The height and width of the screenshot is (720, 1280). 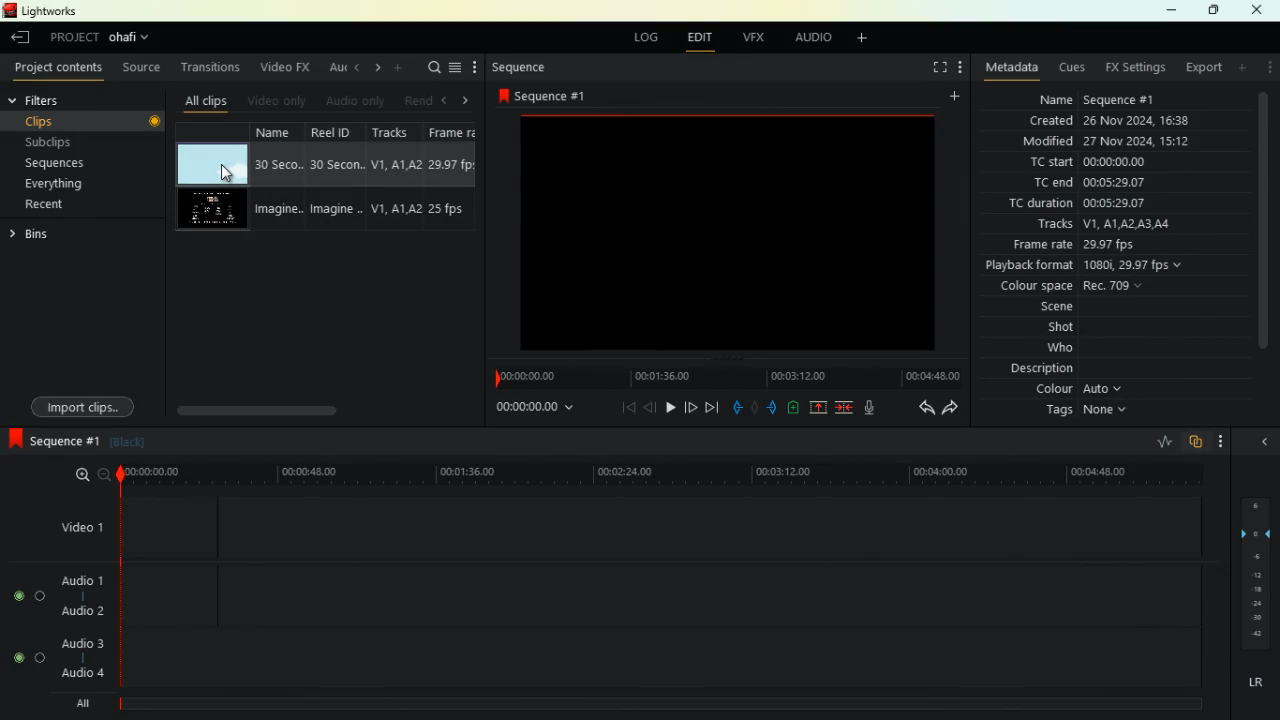 What do you see at coordinates (930, 66) in the screenshot?
I see `fullscreen` at bounding box center [930, 66].